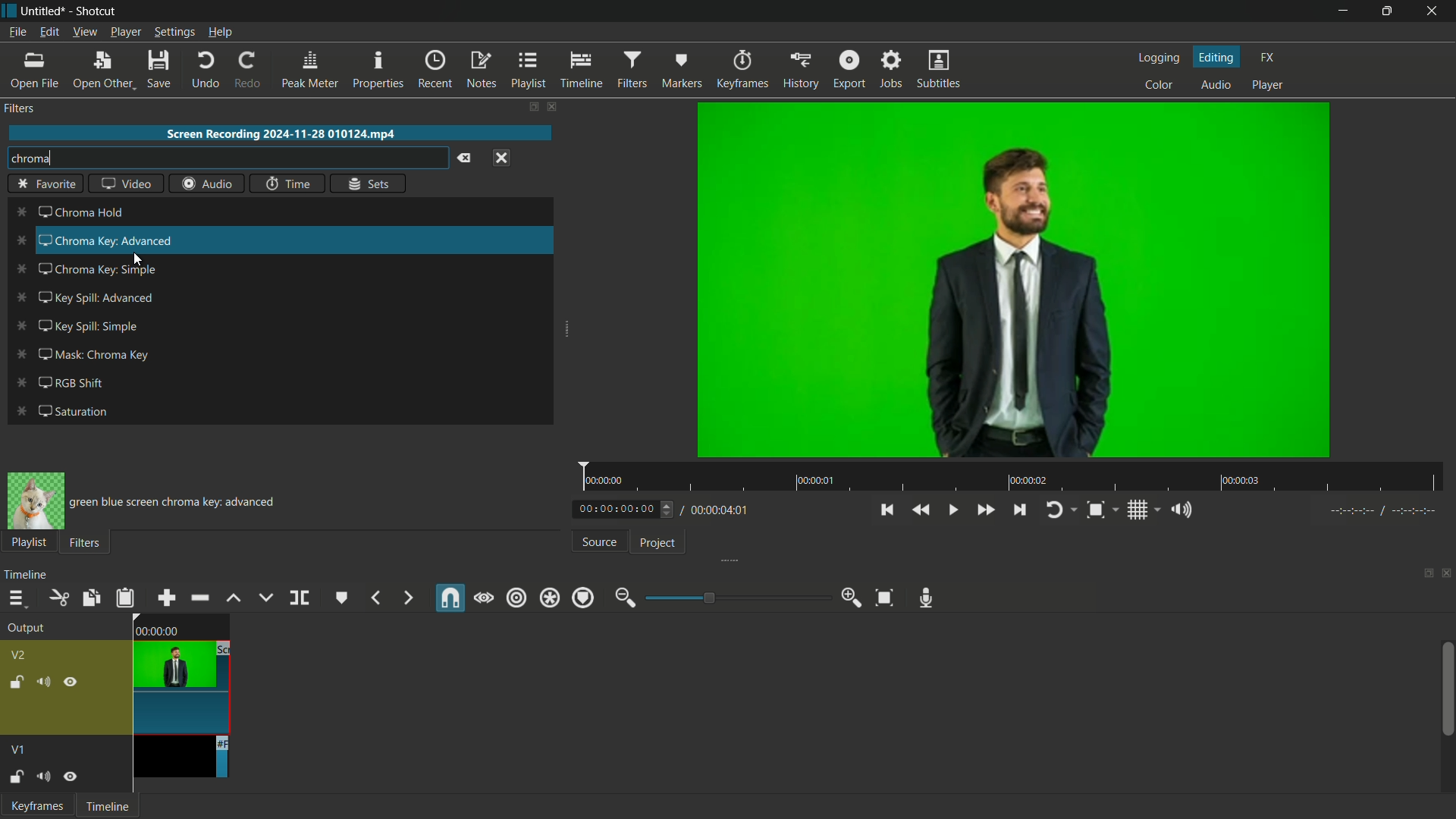 This screenshot has height=819, width=1456. I want to click on imported video, so click(1013, 281).